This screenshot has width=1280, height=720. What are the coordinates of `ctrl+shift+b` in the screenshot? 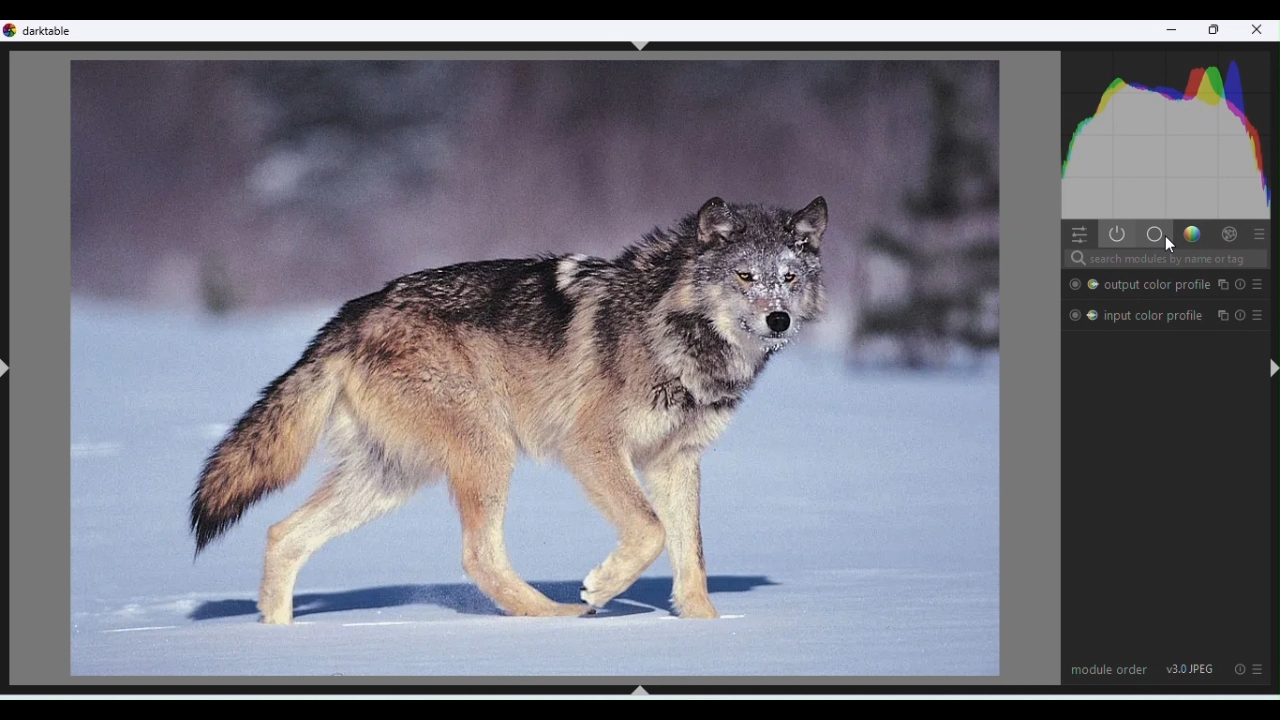 It's located at (639, 690).